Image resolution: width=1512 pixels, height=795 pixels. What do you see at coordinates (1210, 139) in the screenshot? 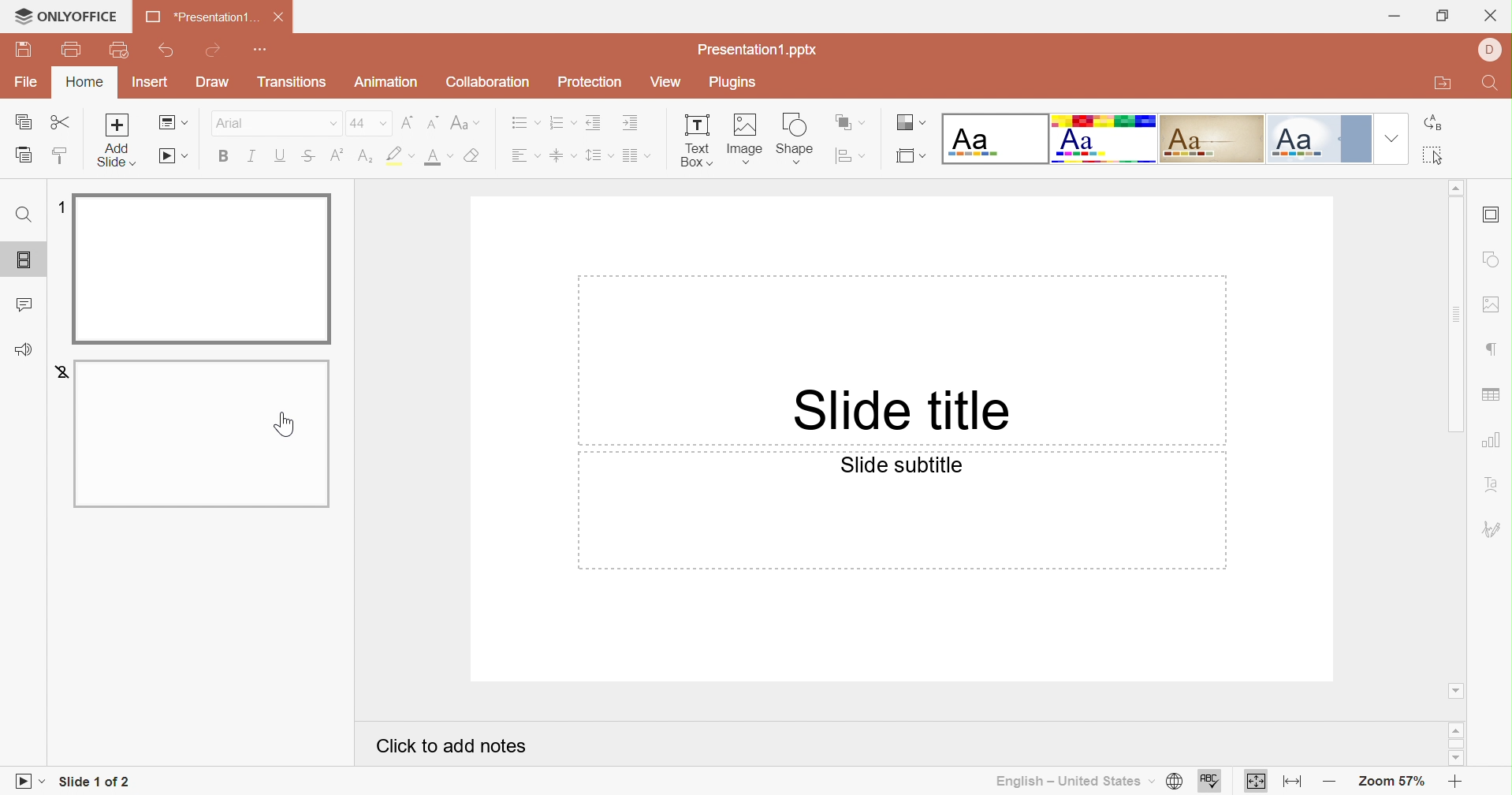
I see `Classic` at bounding box center [1210, 139].